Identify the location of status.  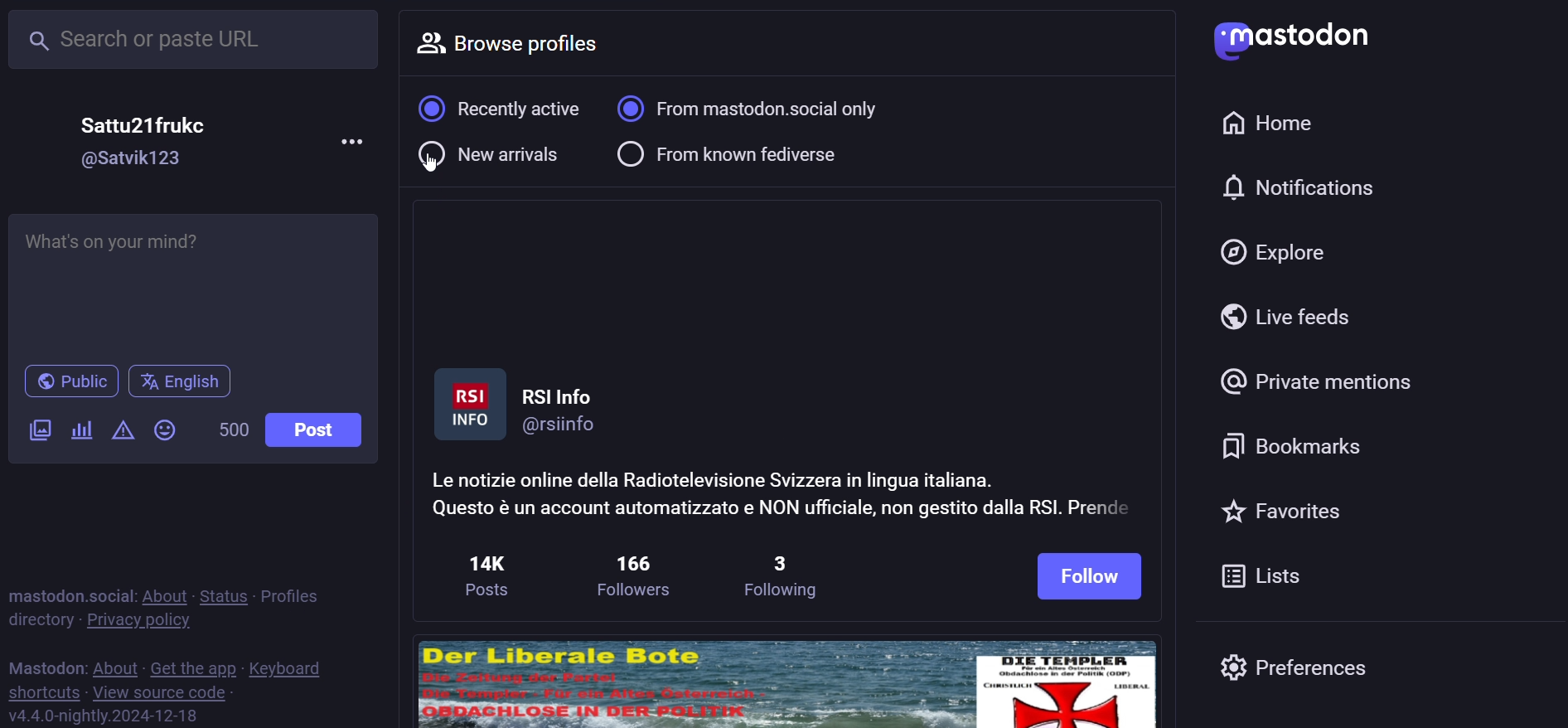
(222, 596).